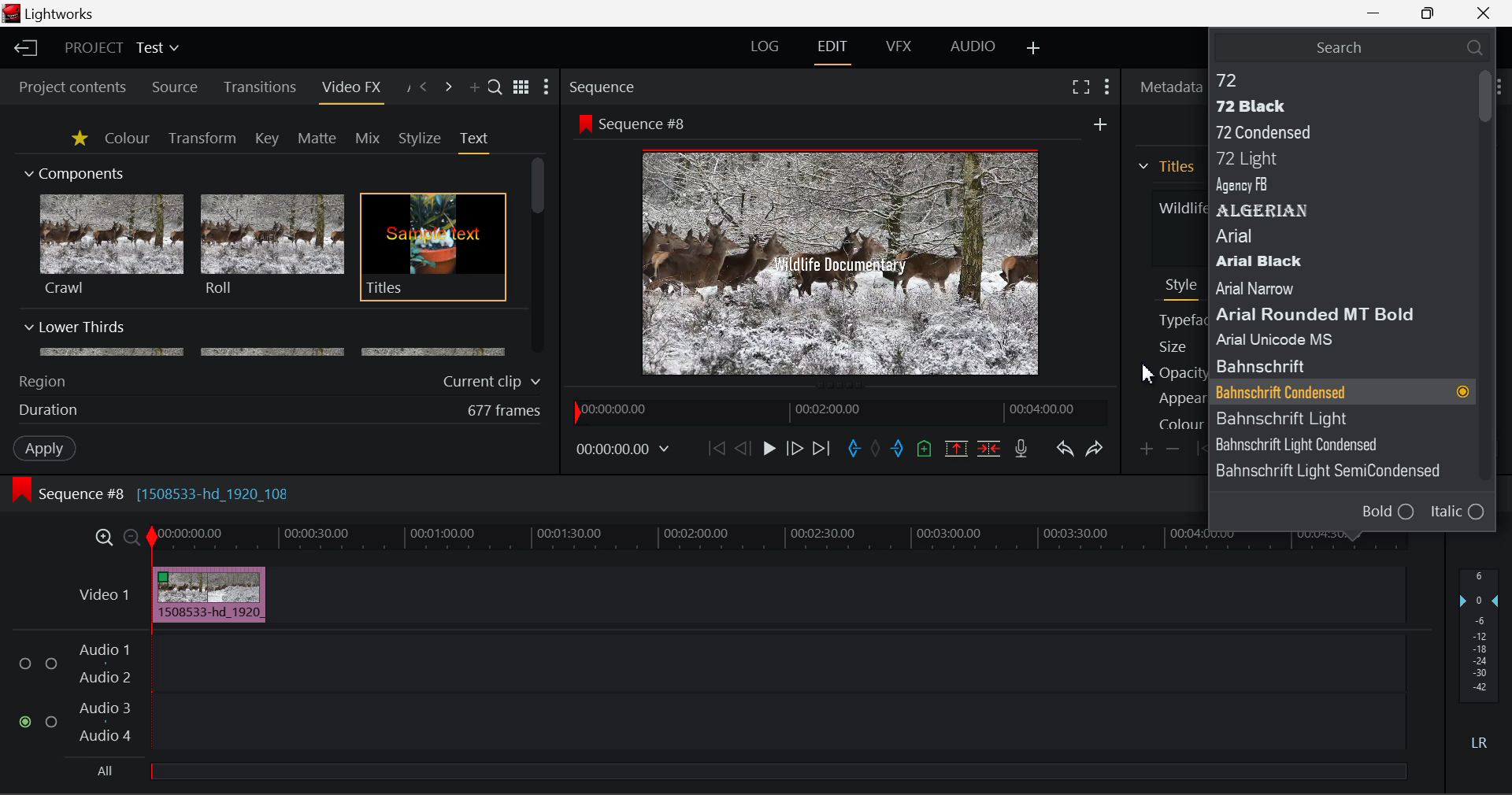  I want to click on Close, so click(1484, 12).